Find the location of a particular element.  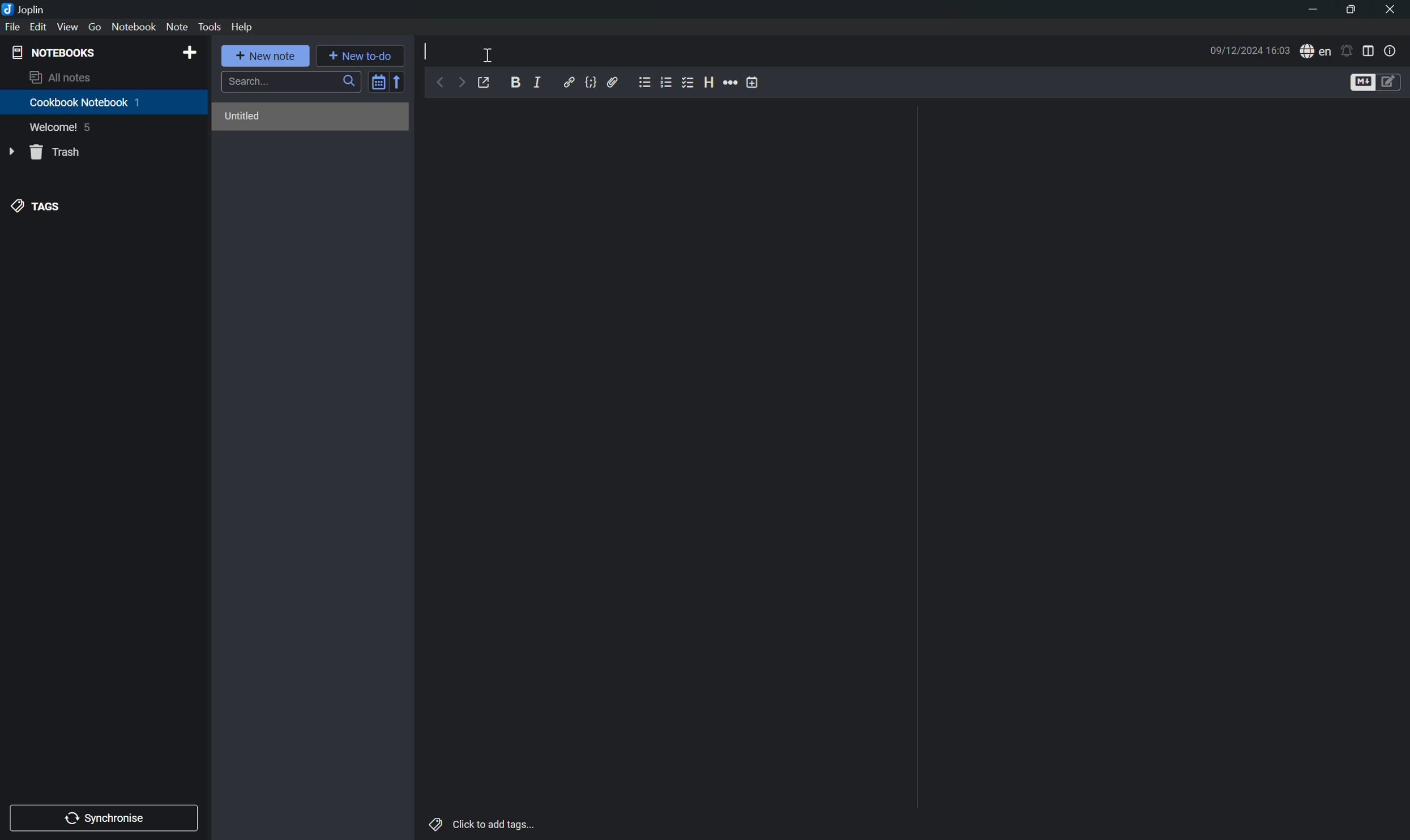

Note is located at coordinates (177, 26).